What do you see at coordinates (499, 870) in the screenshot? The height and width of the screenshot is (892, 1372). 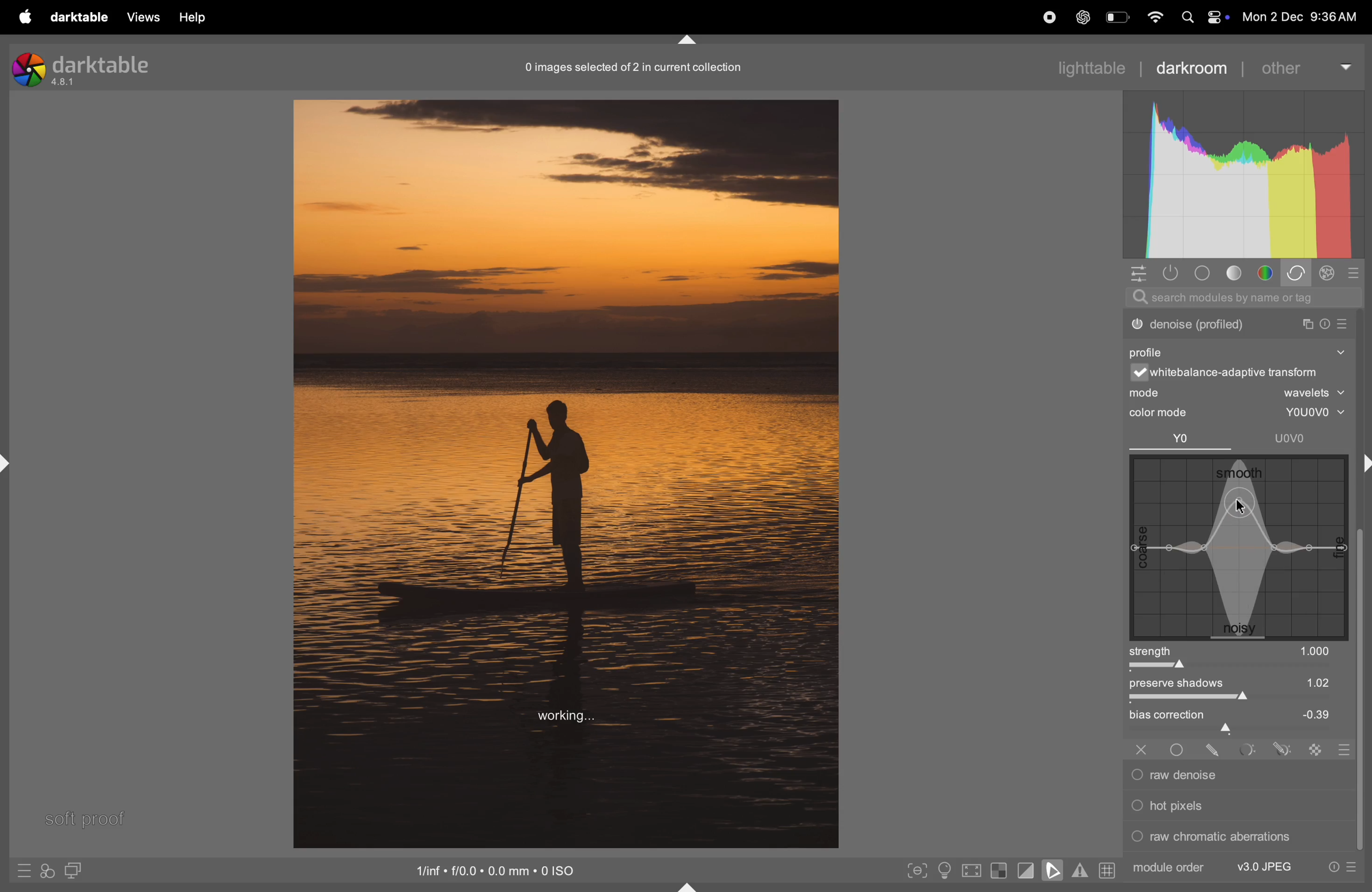 I see `iso` at bounding box center [499, 870].